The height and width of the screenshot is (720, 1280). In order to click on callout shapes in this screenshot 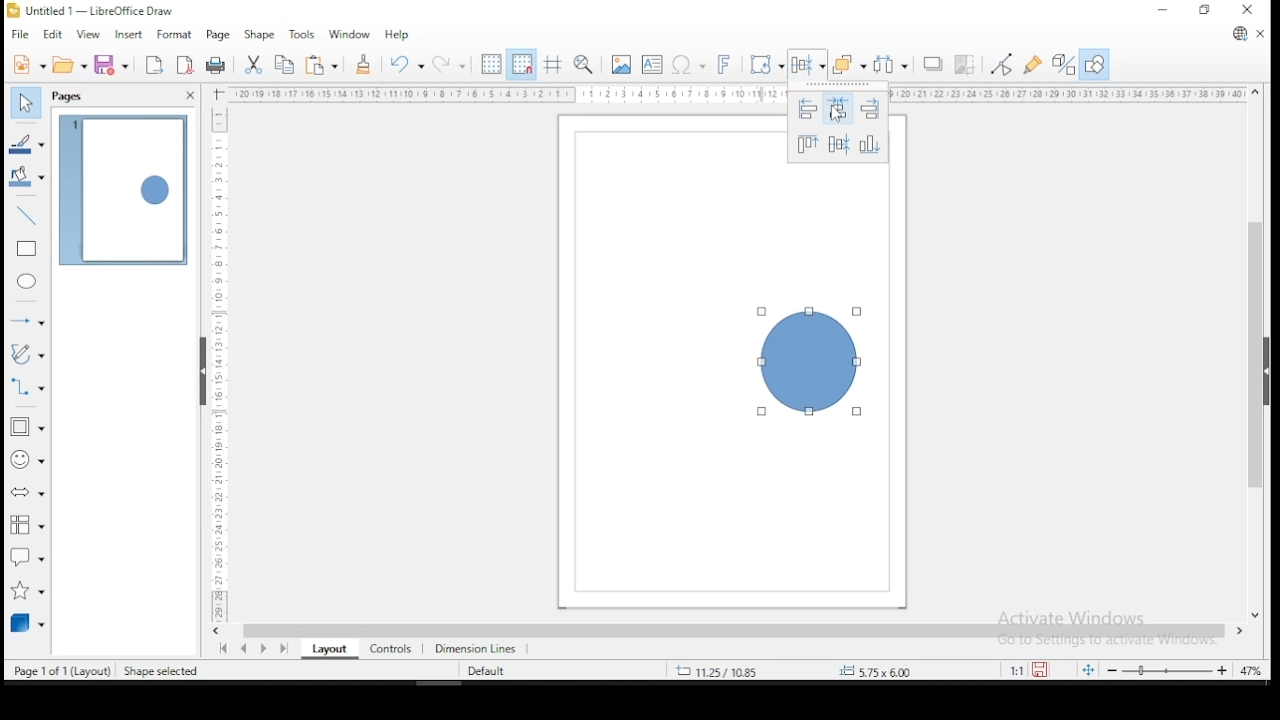, I will do `click(28, 556)`.